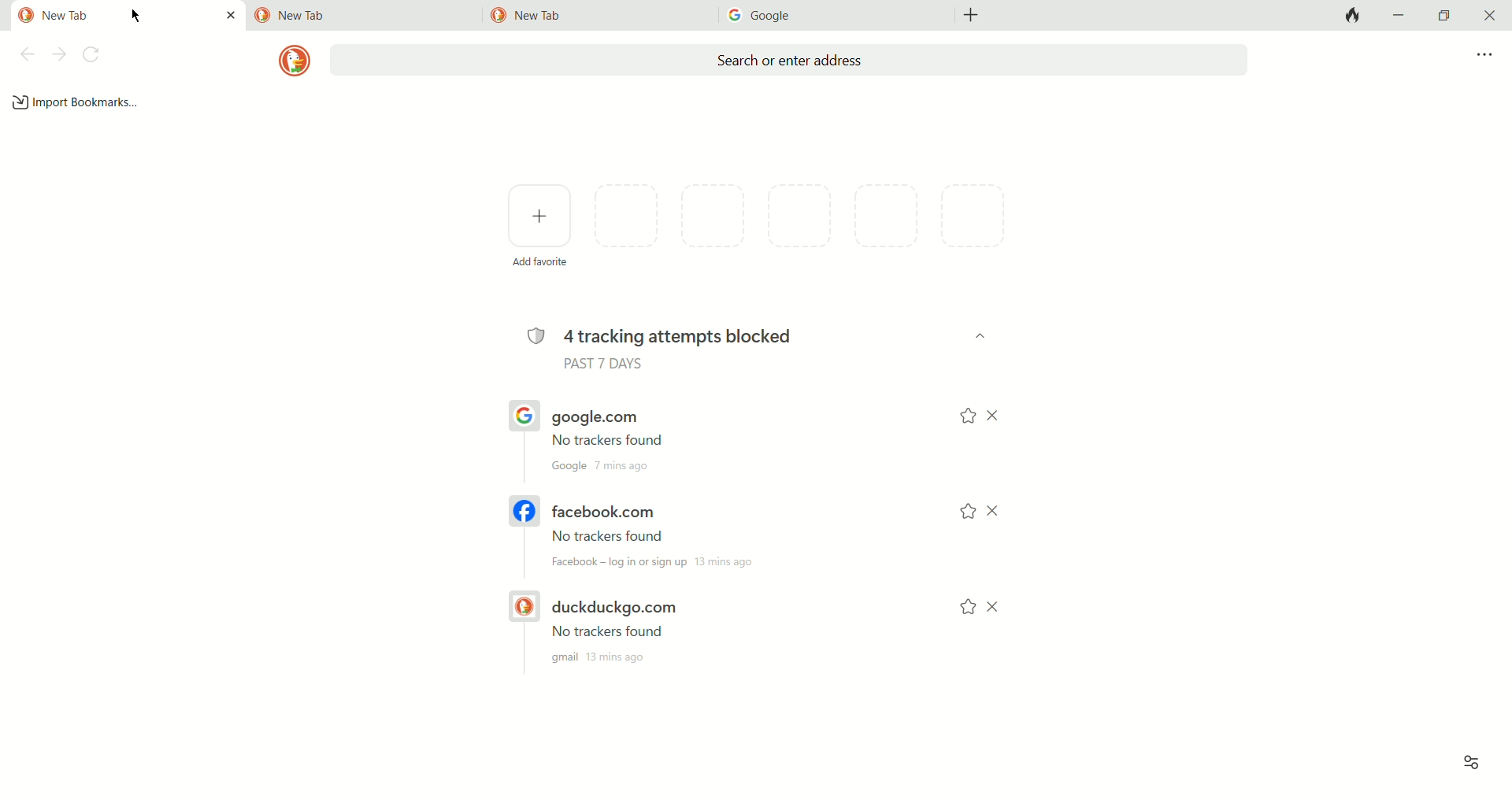 Image resolution: width=1512 pixels, height=803 pixels. Describe the element at coordinates (635, 534) in the screenshot. I see `facebook.com link` at that location.